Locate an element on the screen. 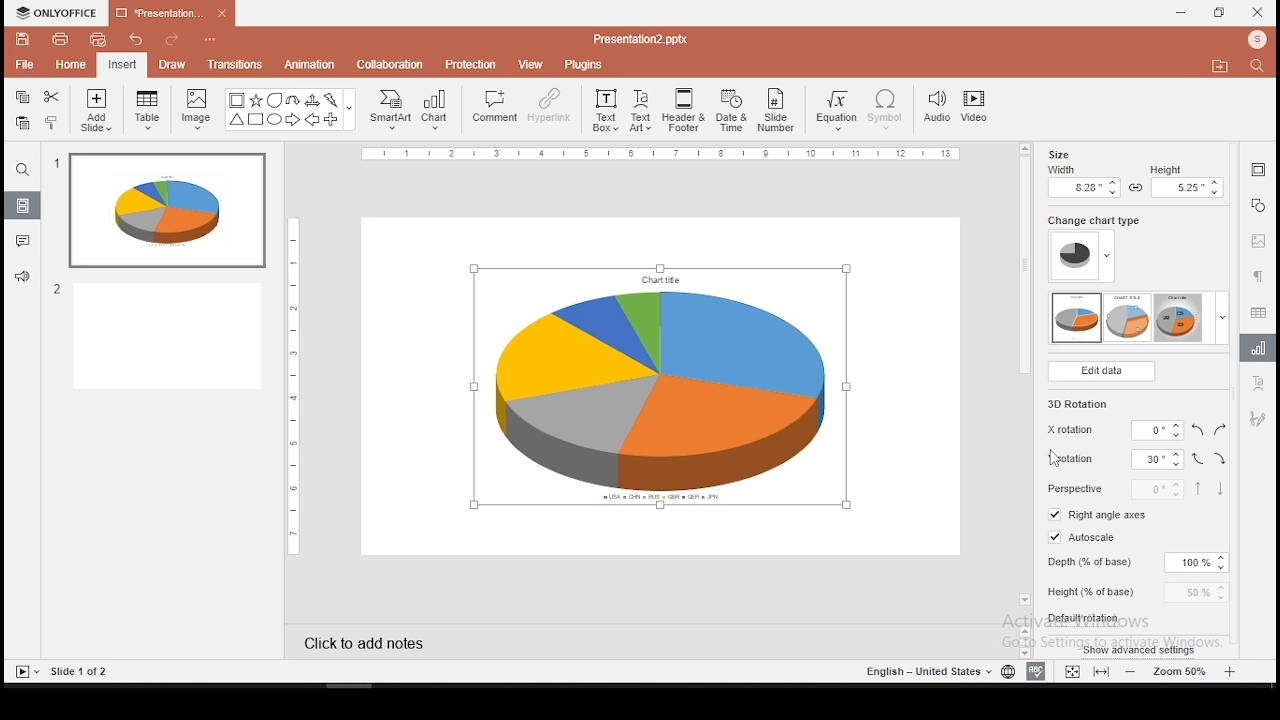 The width and height of the screenshot is (1280, 720). add slide is located at coordinates (96, 110).